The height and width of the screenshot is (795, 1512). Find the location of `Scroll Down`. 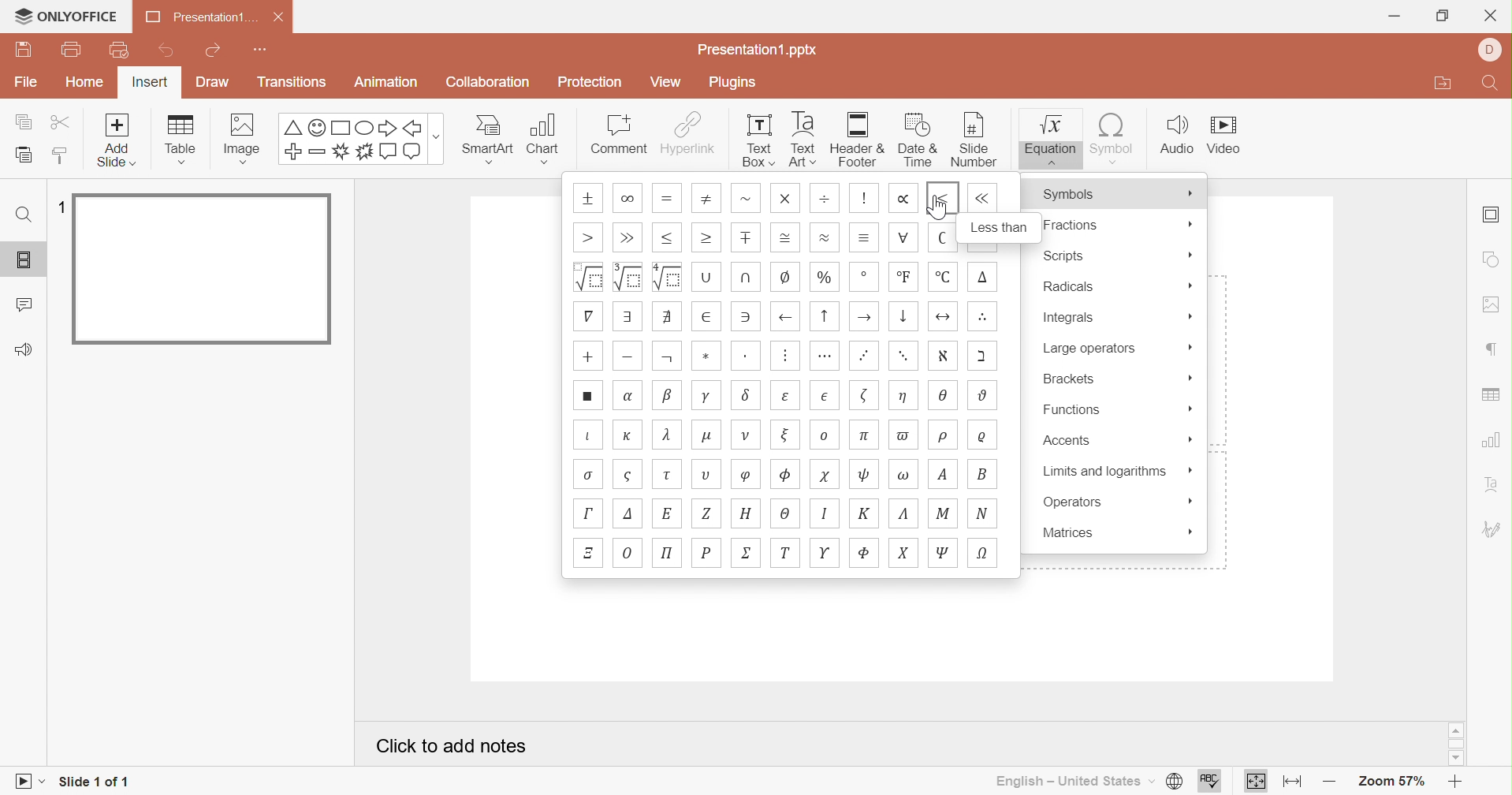

Scroll Down is located at coordinates (1456, 759).